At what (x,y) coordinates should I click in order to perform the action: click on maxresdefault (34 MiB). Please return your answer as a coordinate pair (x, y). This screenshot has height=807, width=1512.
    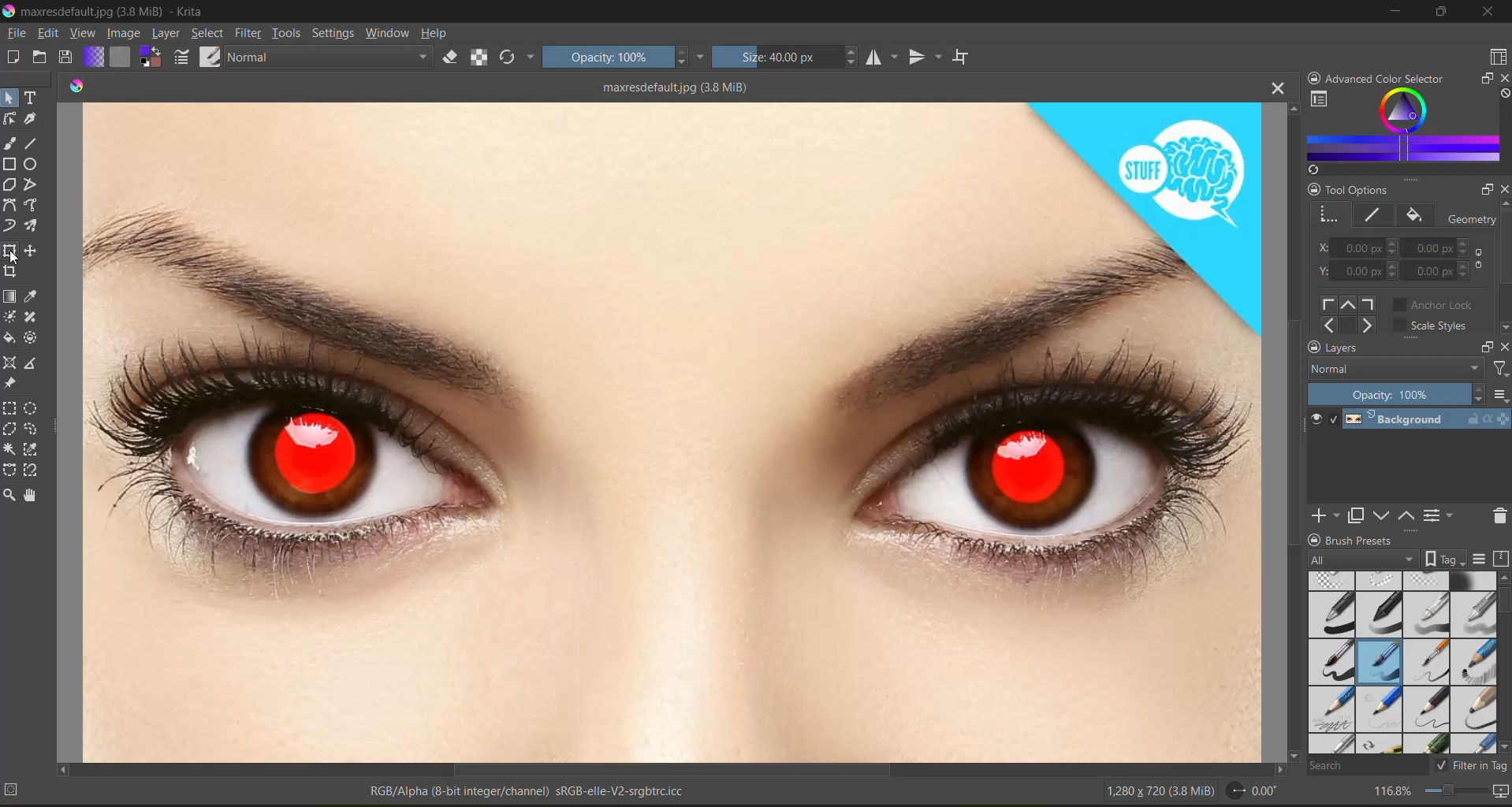
    Looking at the image, I should click on (677, 86).